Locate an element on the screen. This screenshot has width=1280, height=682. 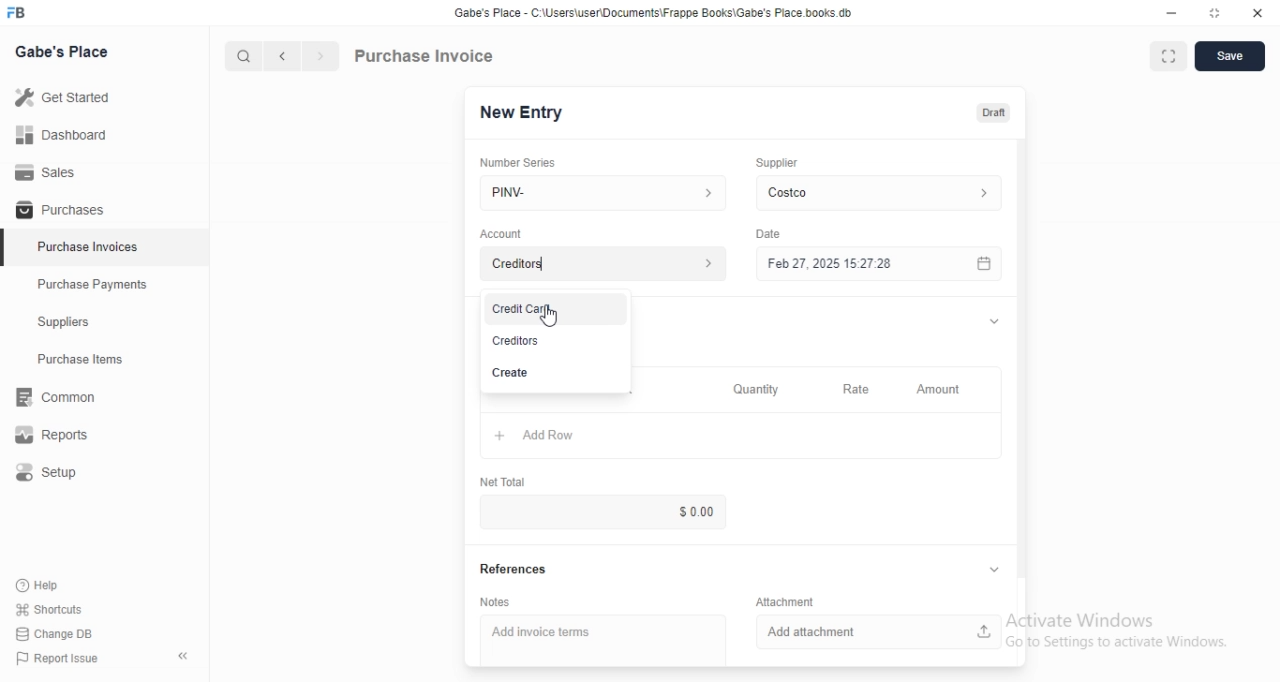
Add Row is located at coordinates (741, 435).